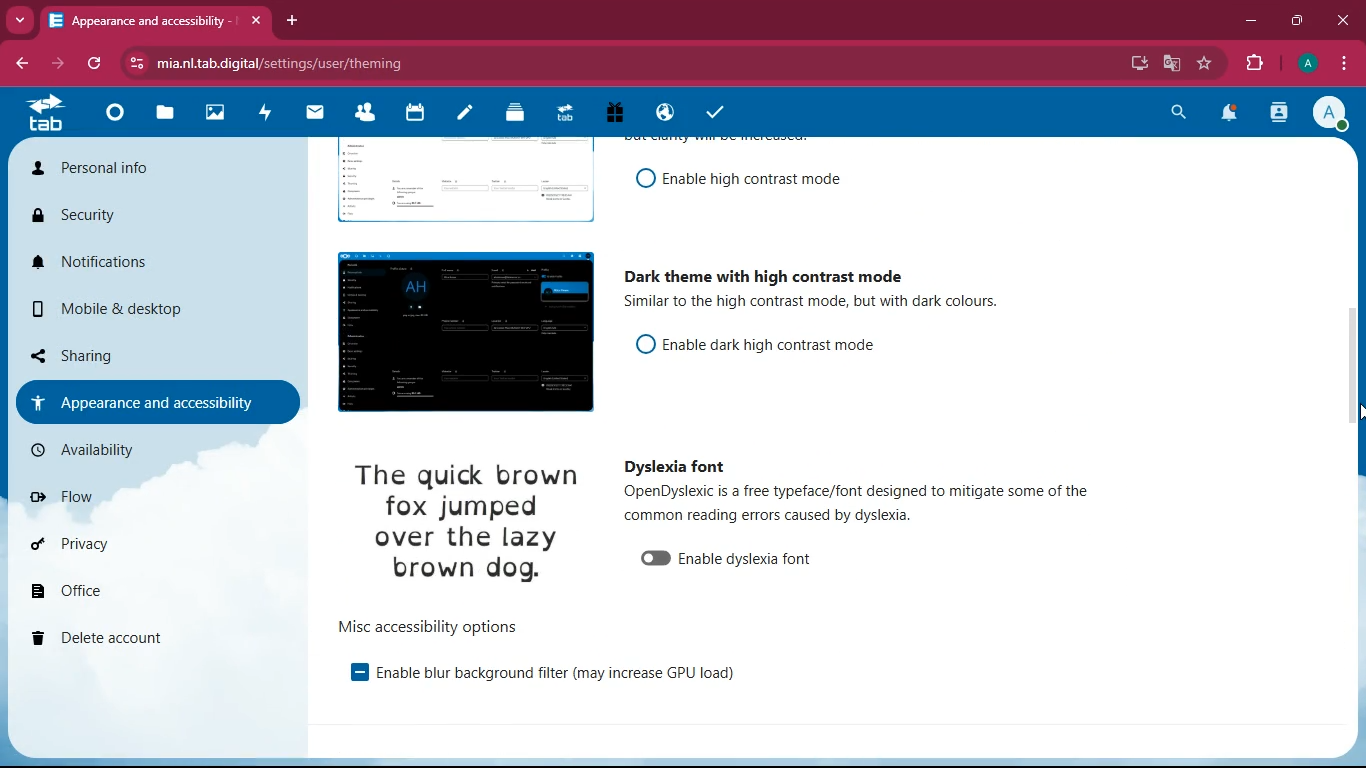  I want to click on mobile, so click(130, 308).